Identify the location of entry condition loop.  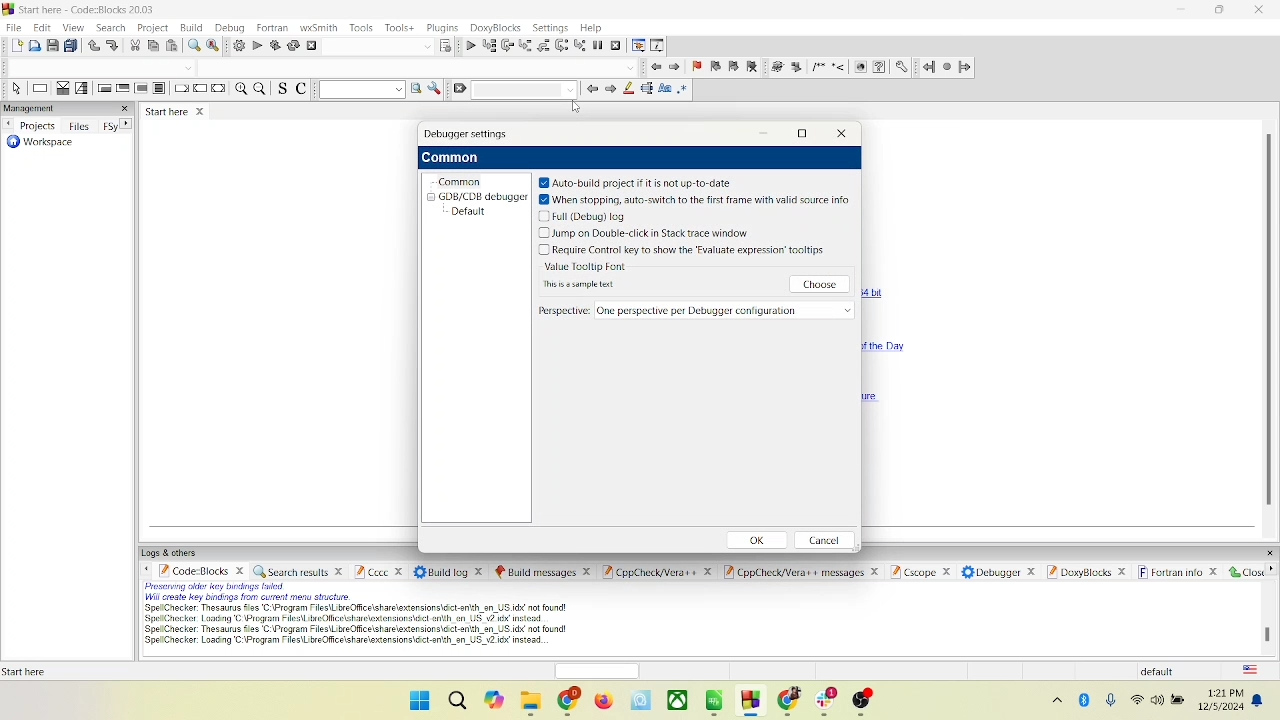
(105, 87).